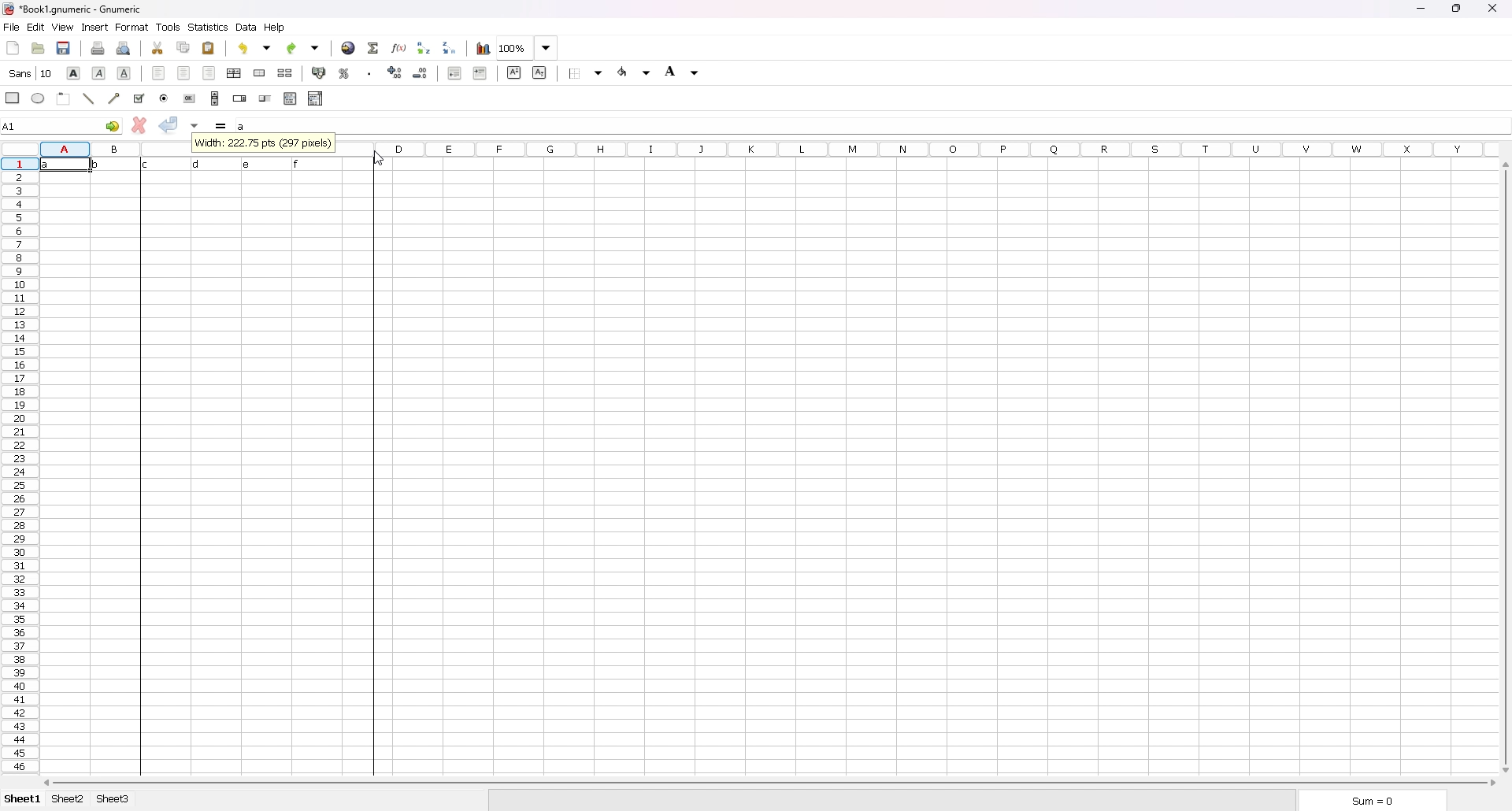 This screenshot has width=1512, height=811. Describe the element at coordinates (480, 72) in the screenshot. I see `increase indent` at that location.